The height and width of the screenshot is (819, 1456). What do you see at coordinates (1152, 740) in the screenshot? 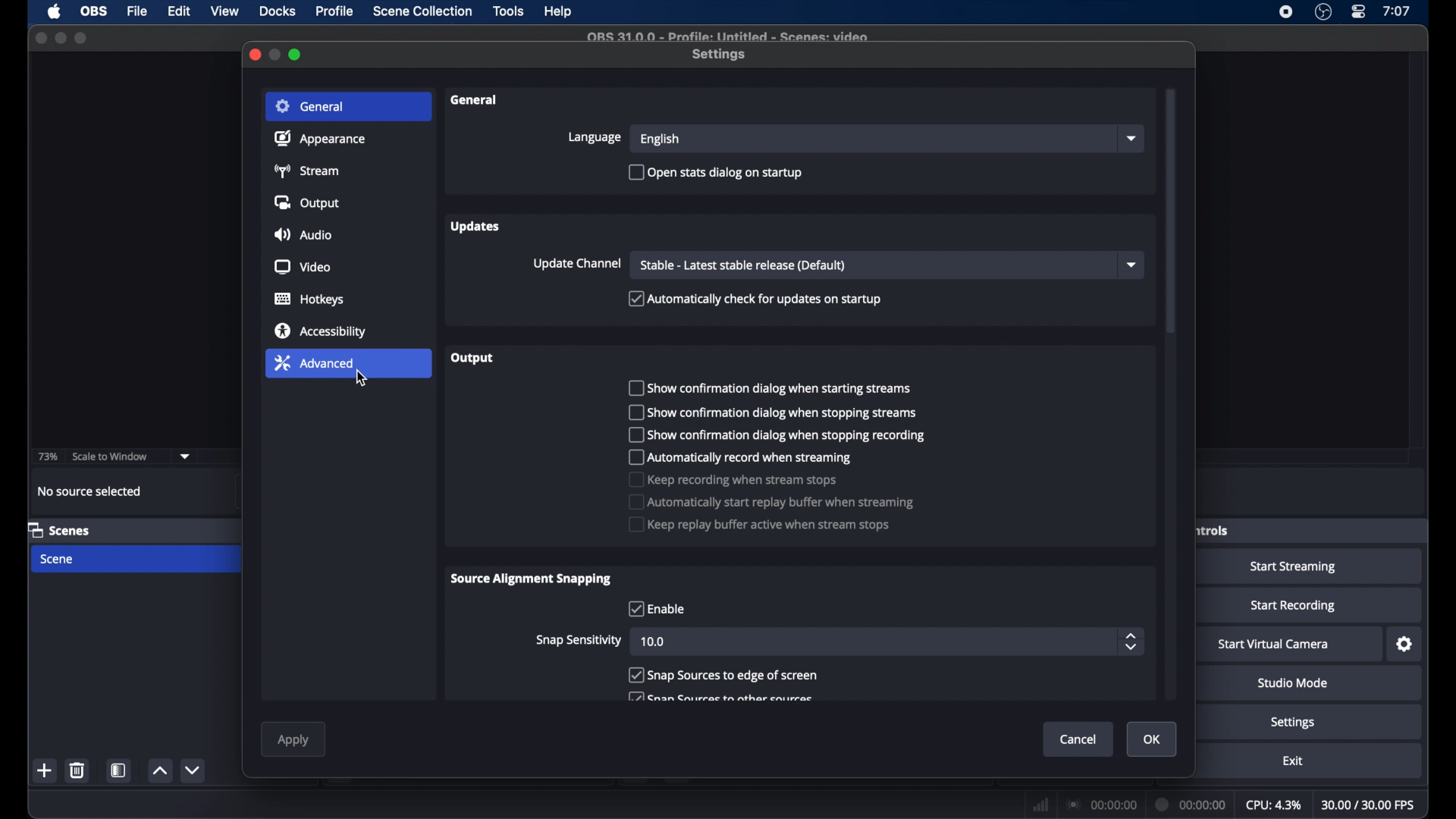
I see `ok` at bounding box center [1152, 740].